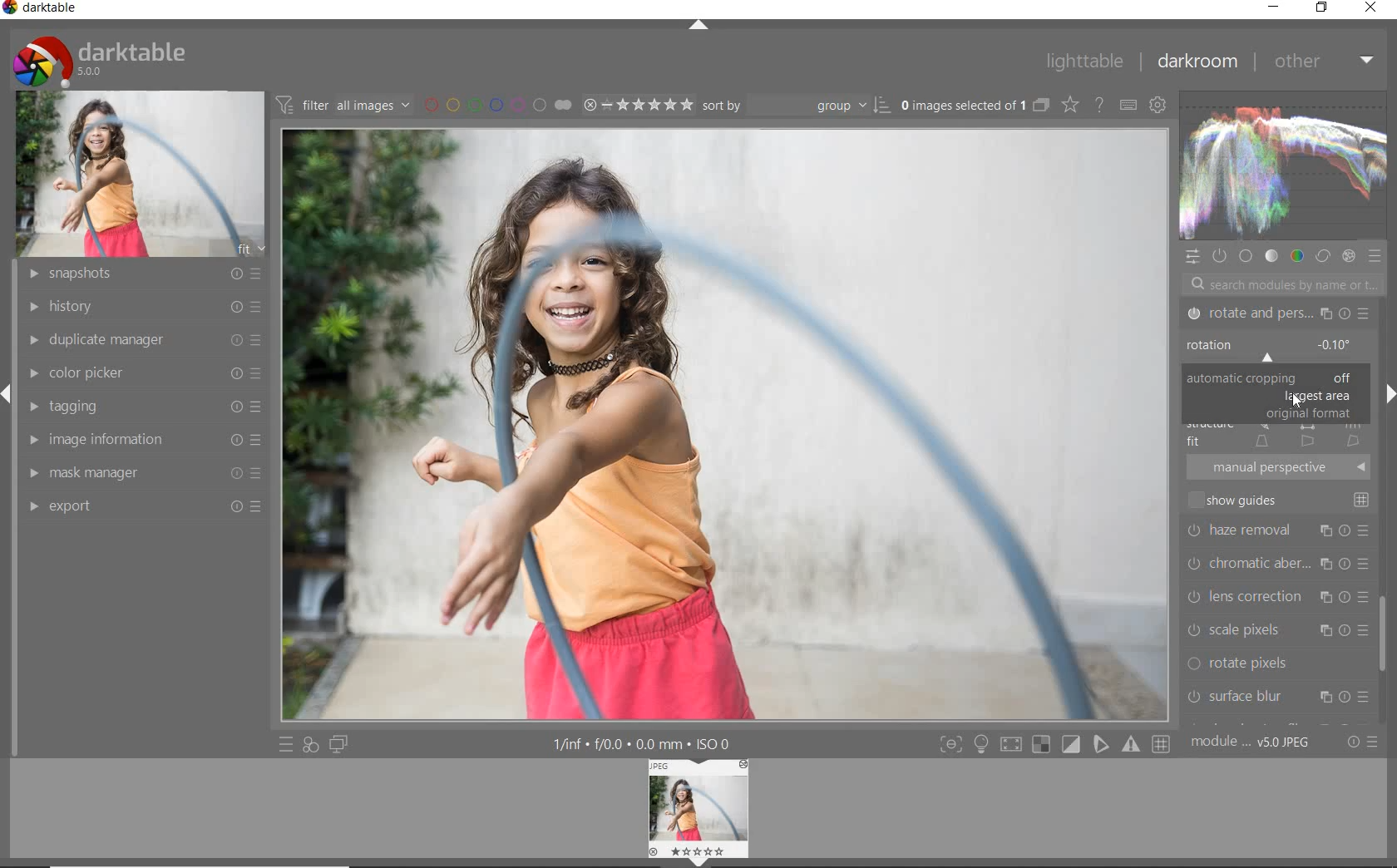 Image resolution: width=1397 pixels, height=868 pixels. I want to click on display a second darkroom image window, so click(338, 745).